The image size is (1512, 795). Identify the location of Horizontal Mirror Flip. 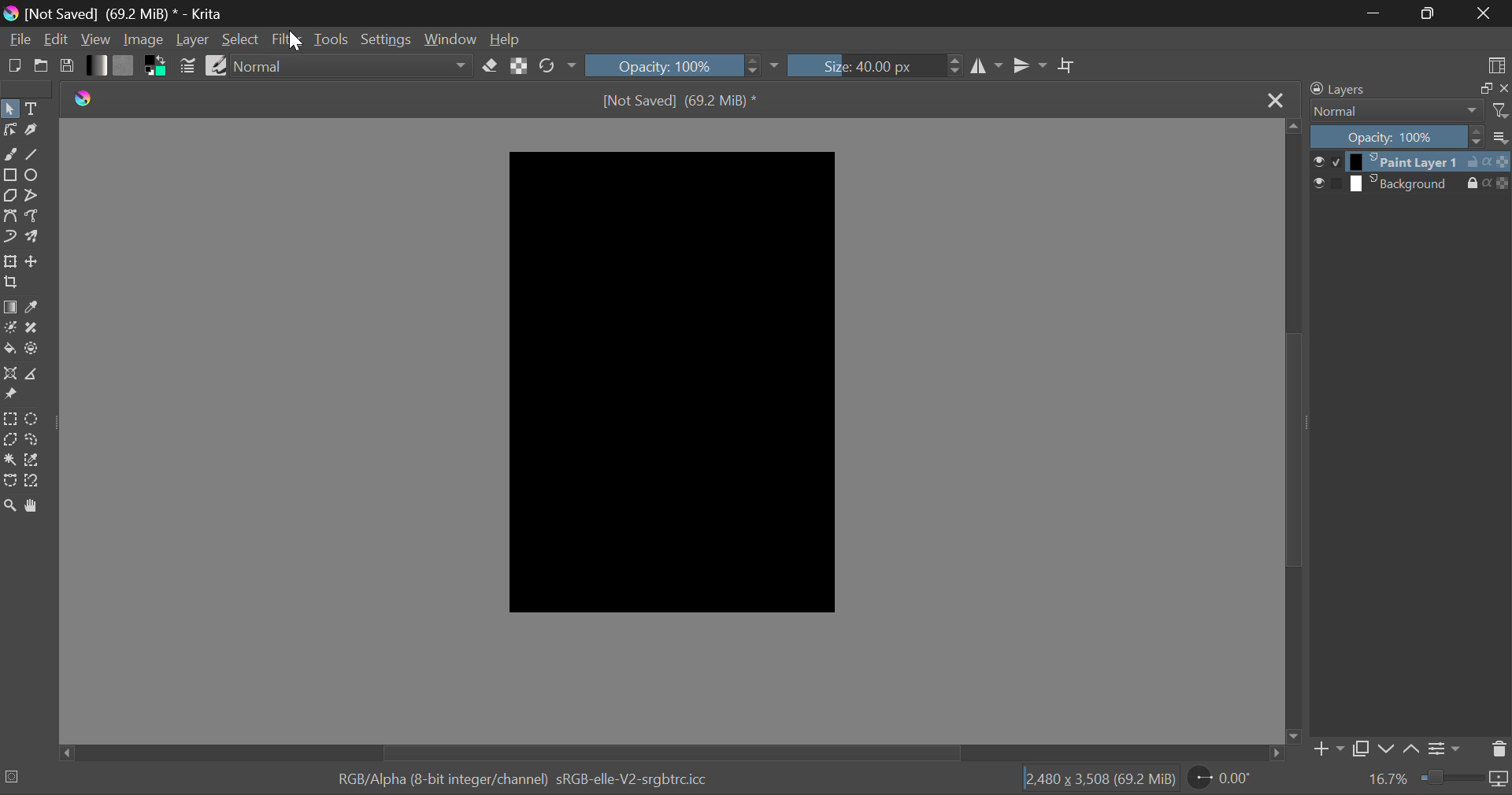
(1031, 65).